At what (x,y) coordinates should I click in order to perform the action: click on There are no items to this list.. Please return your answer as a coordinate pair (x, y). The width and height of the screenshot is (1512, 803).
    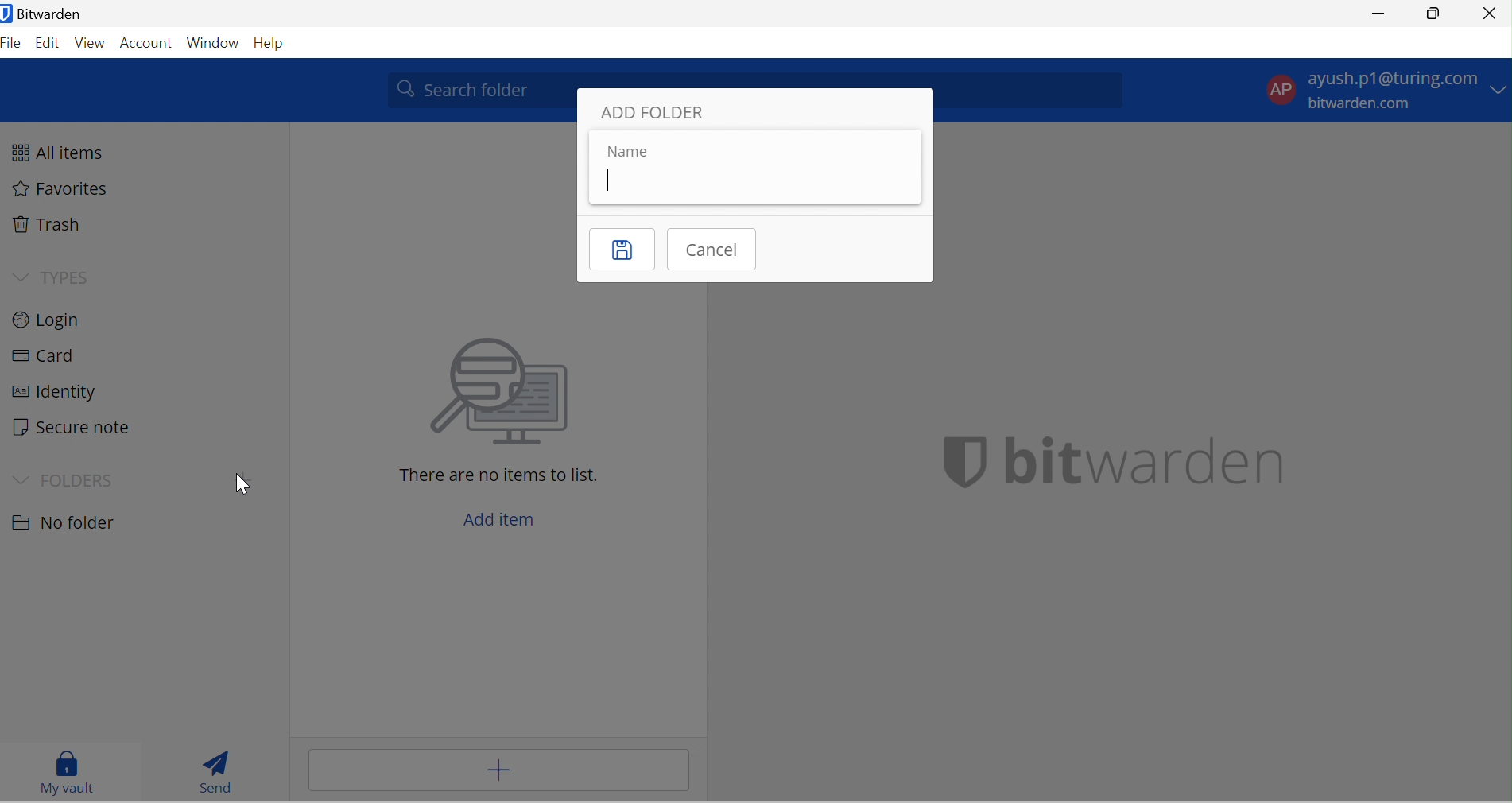
    Looking at the image, I should click on (504, 477).